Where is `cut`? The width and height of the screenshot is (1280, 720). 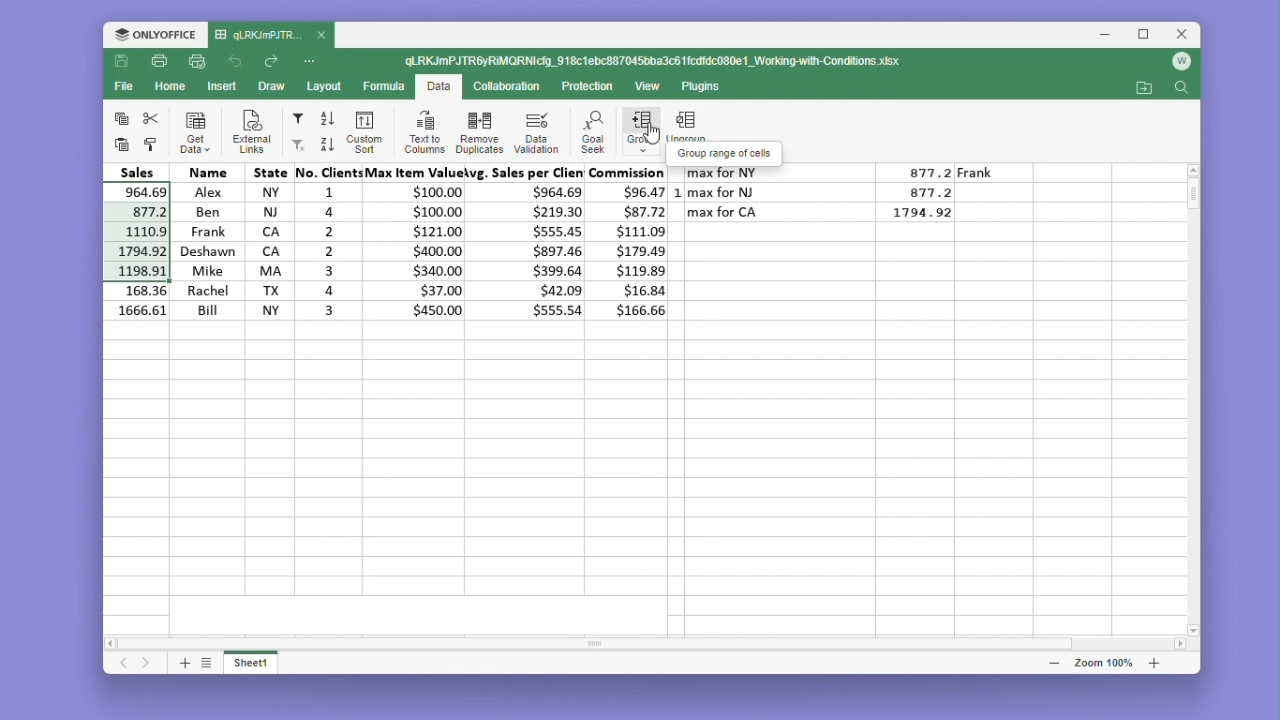
cut is located at coordinates (151, 118).